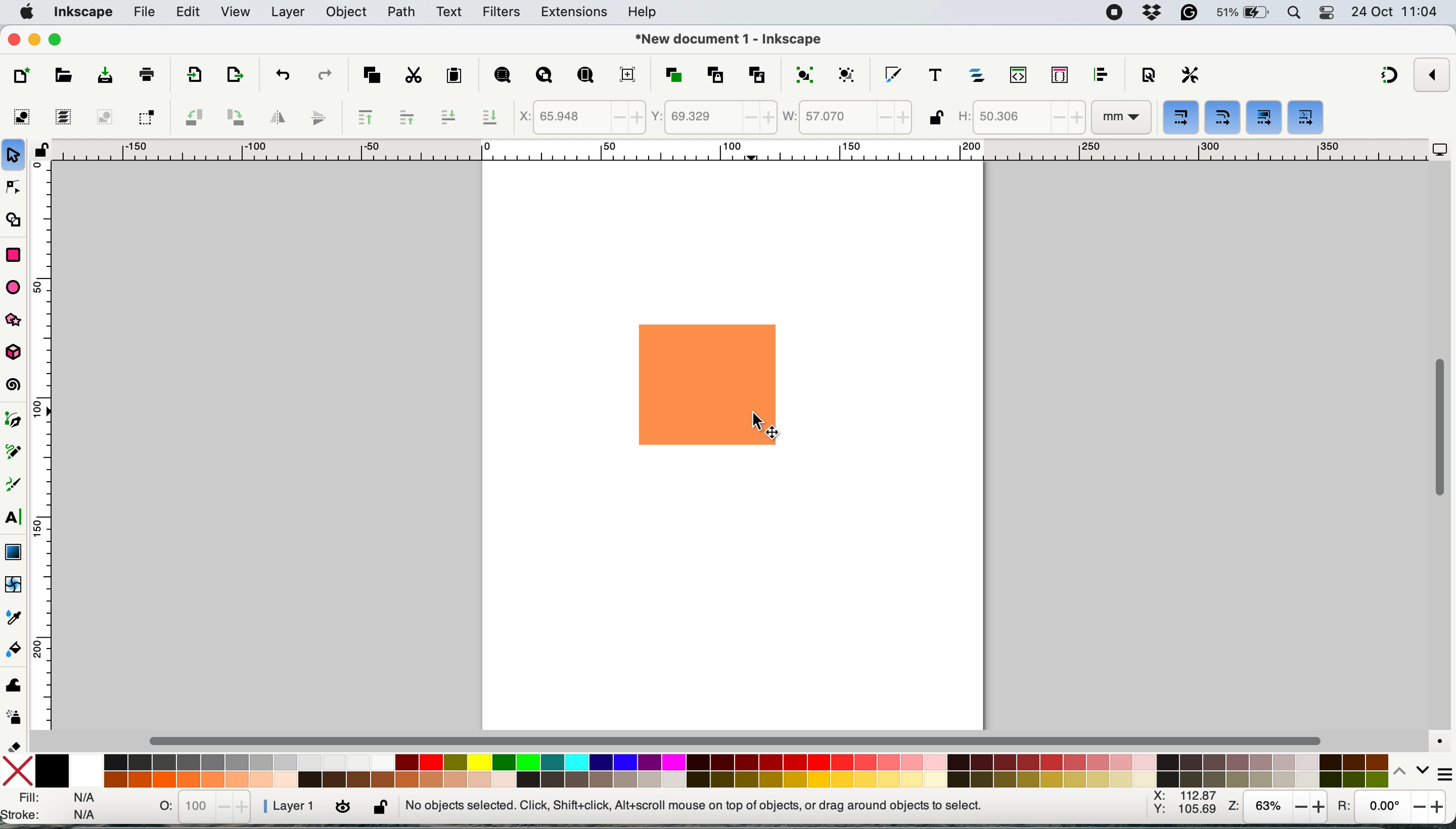  What do you see at coordinates (757, 73) in the screenshot?
I see `unlink clone` at bounding box center [757, 73].